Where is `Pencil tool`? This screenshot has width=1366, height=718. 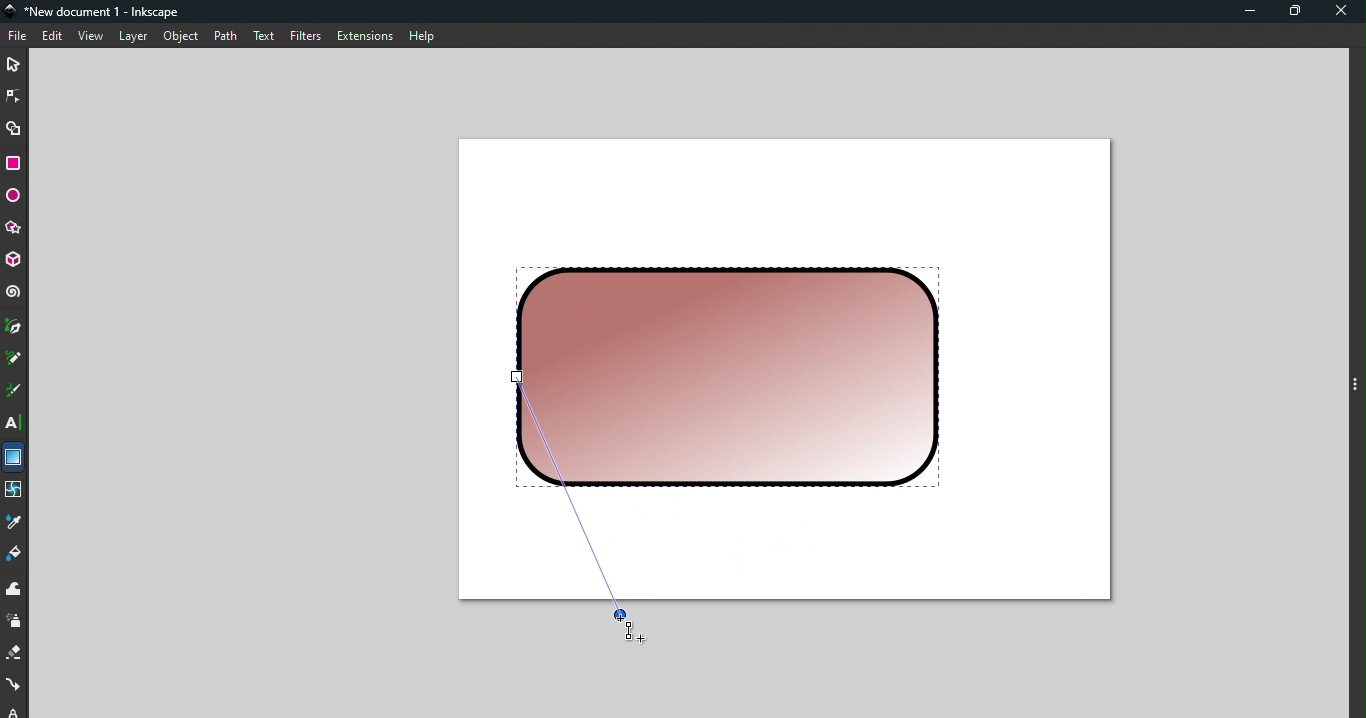 Pencil tool is located at coordinates (14, 360).